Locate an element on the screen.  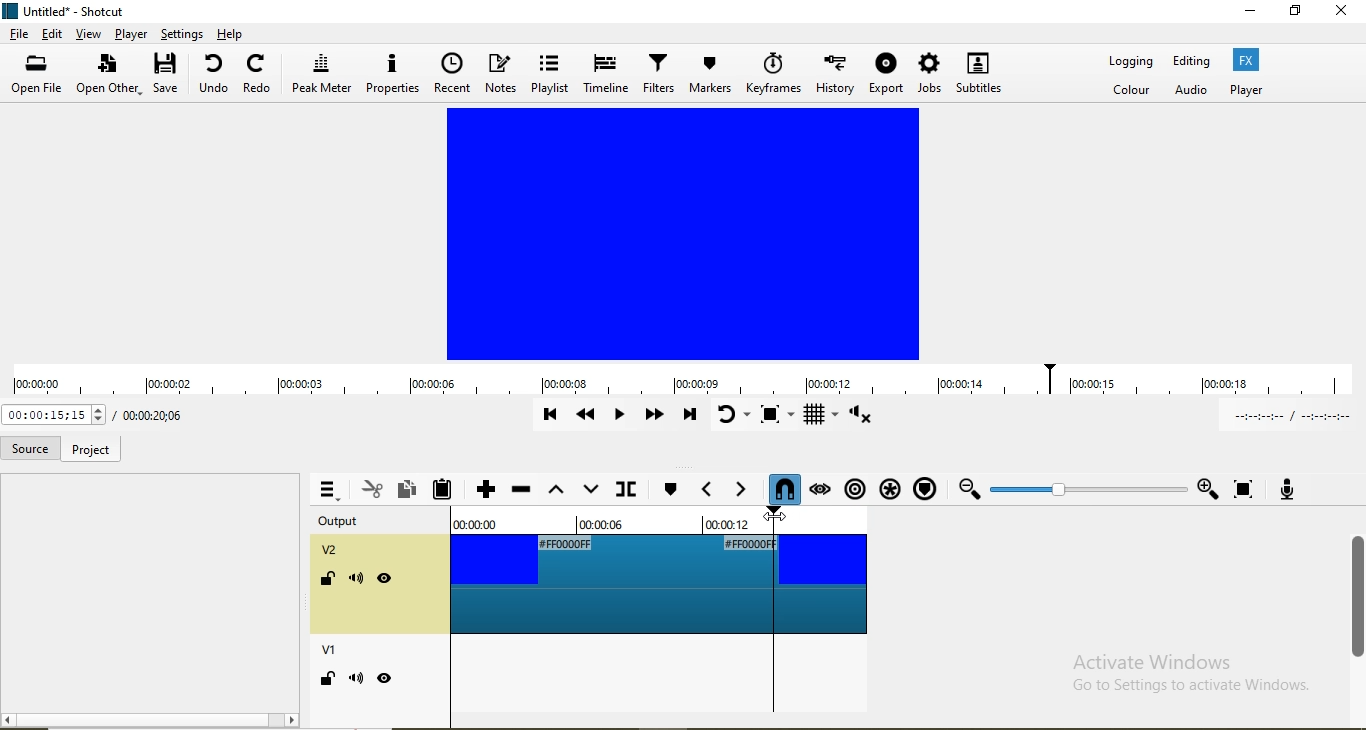
restore is located at coordinates (1297, 13).